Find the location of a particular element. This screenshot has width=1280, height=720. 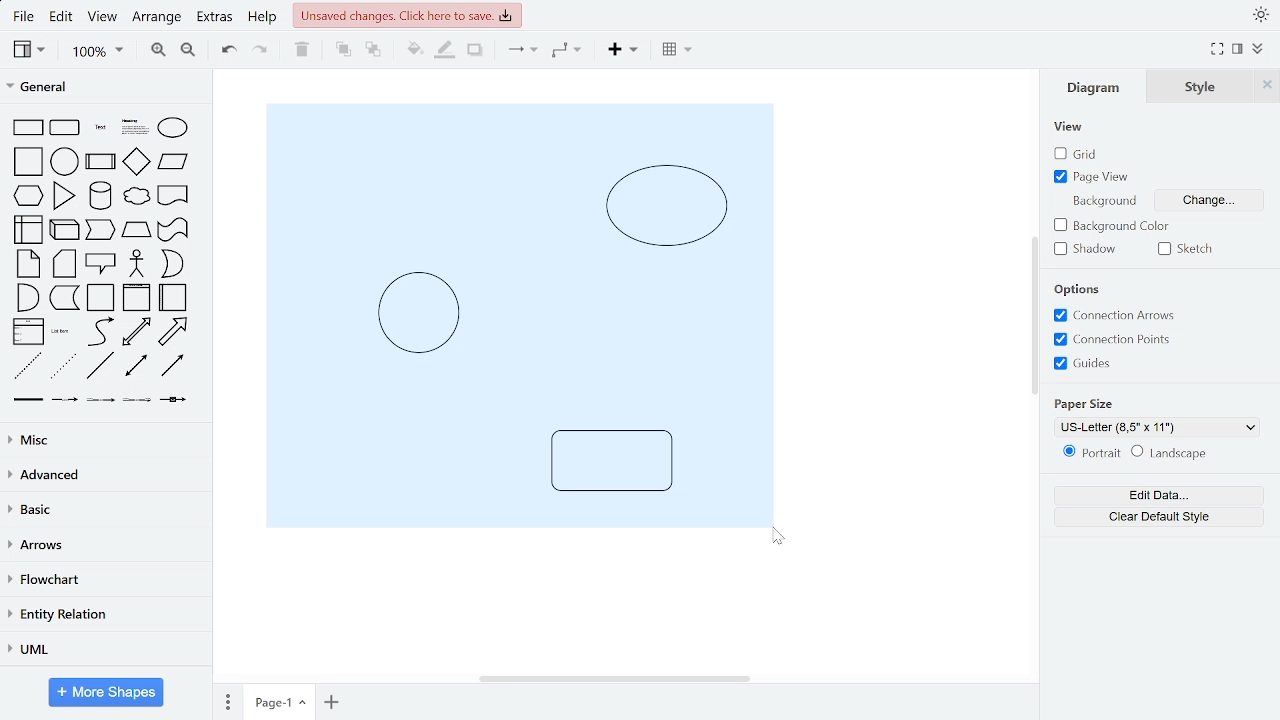

MOUSE_UP Cursor is located at coordinates (778, 537).